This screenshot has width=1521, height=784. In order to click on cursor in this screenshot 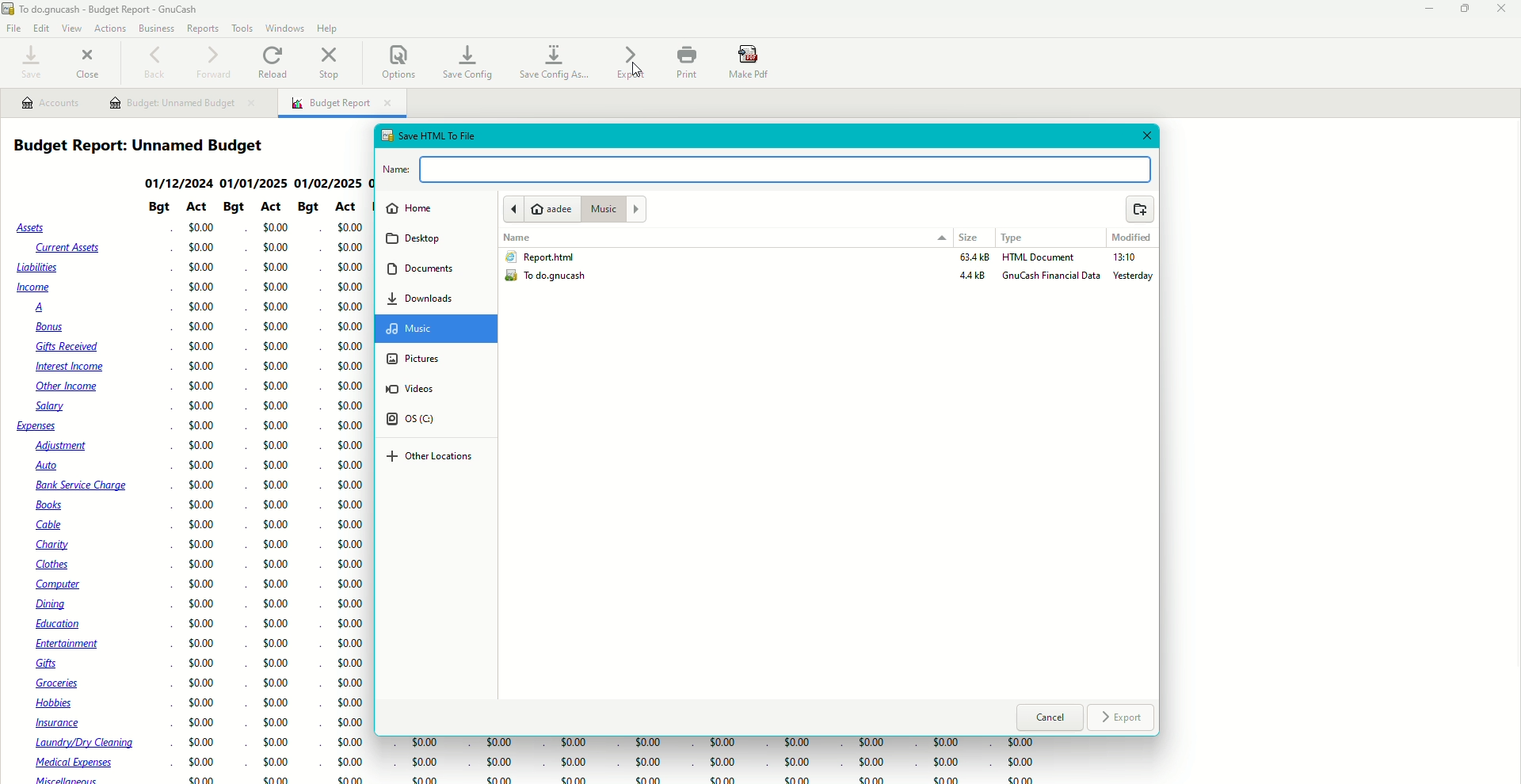, I will do `click(637, 71)`.